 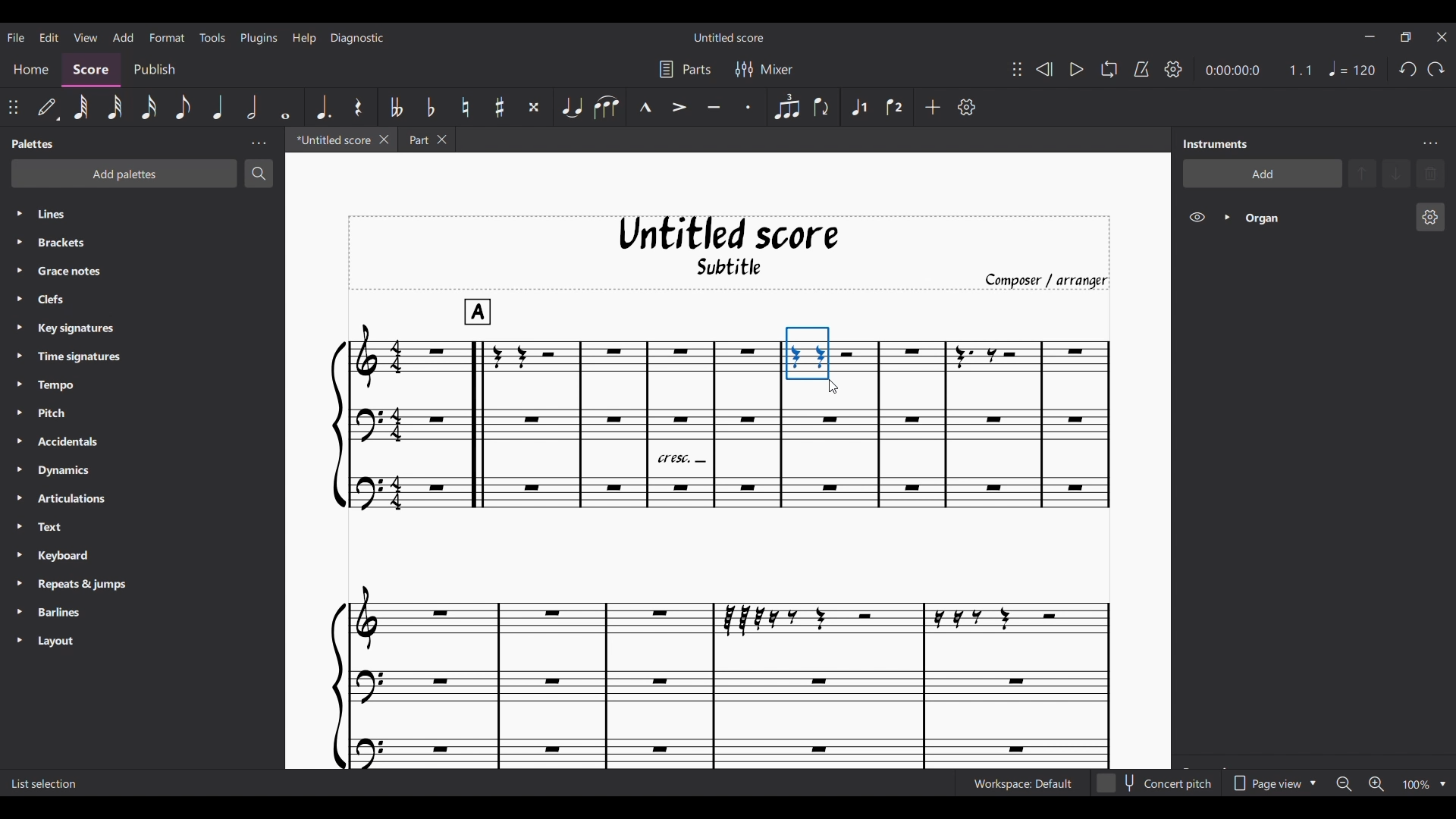 What do you see at coordinates (1142, 70) in the screenshot?
I see `Metronome` at bounding box center [1142, 70].